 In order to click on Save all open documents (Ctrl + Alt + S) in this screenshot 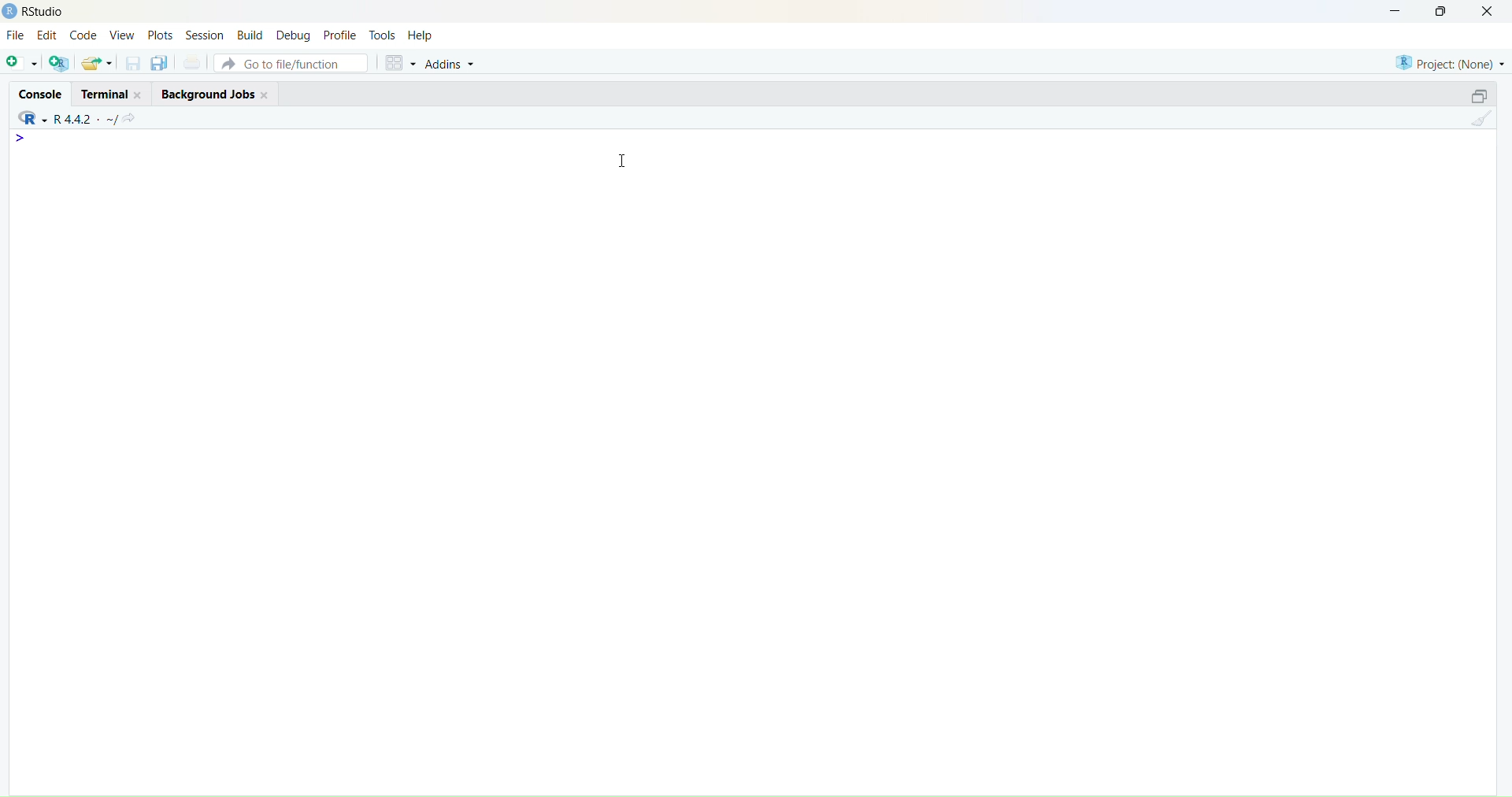, I will do `click(160, 64)`.